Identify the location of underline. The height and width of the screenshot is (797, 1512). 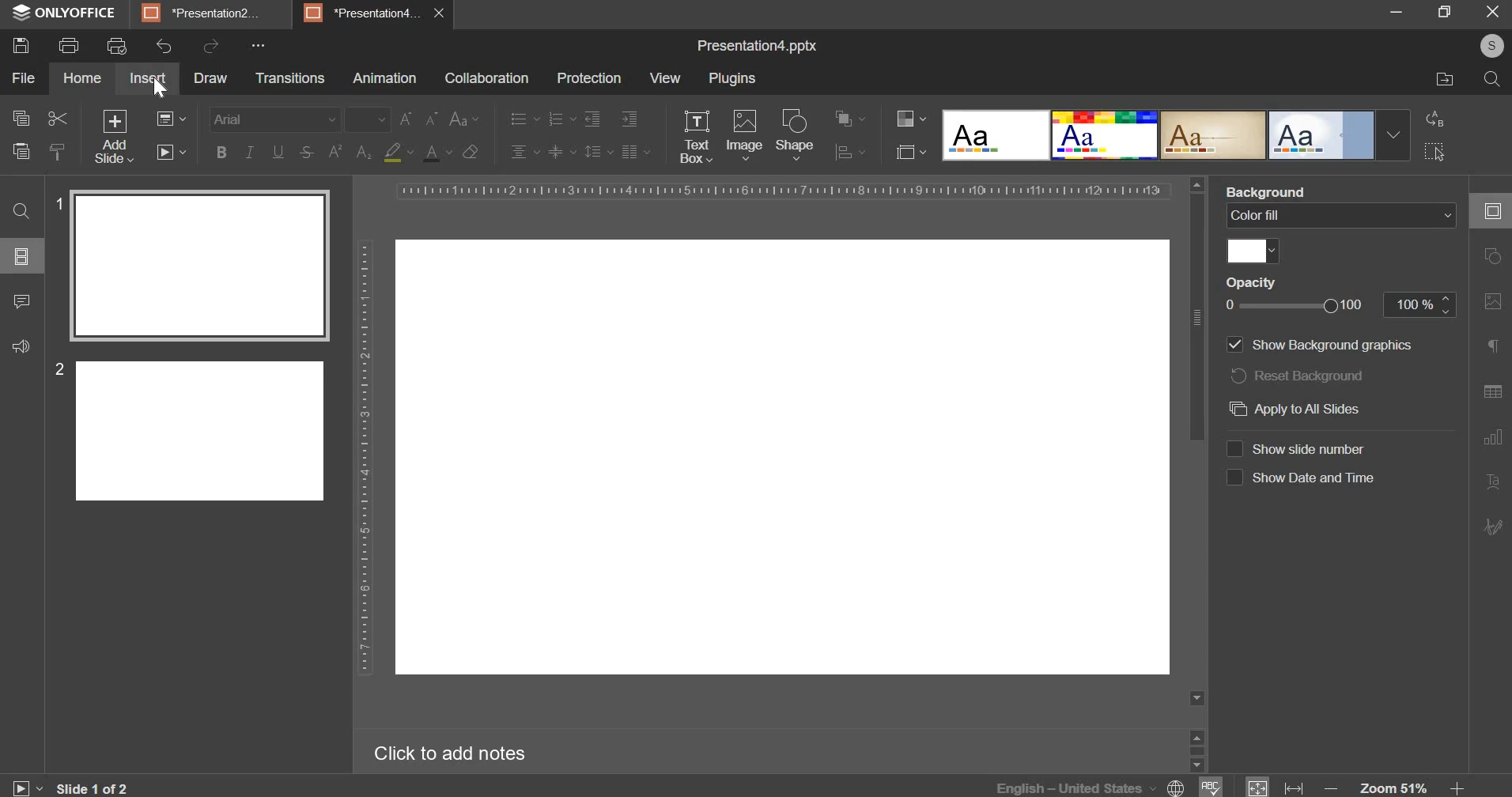
(278, 152).